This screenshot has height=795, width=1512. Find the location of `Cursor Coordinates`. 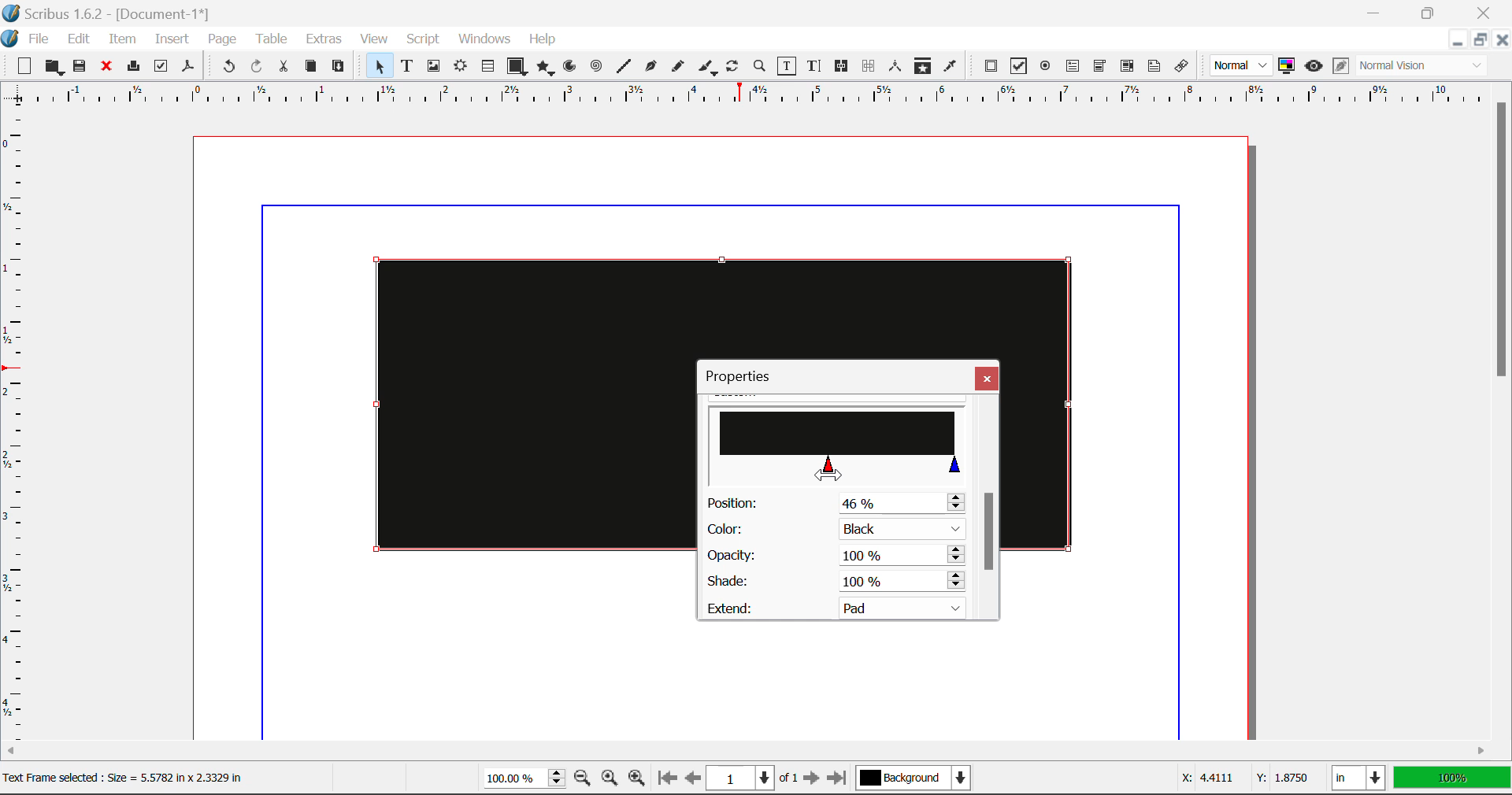

Cursor Coordinates is located at coordinates (1241, 778).